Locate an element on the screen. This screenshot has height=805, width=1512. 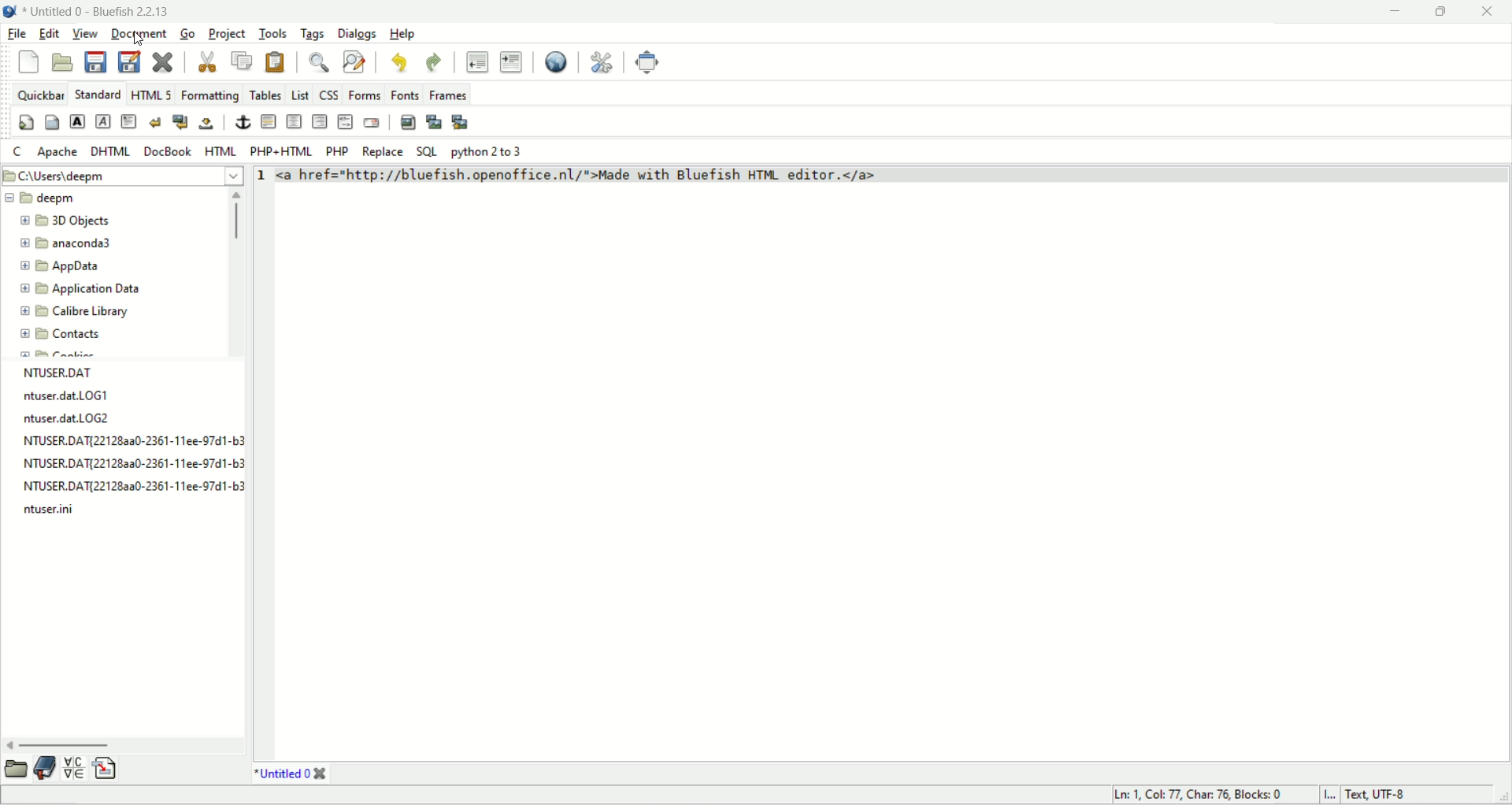
save current file is located at coordinates (95, 63).